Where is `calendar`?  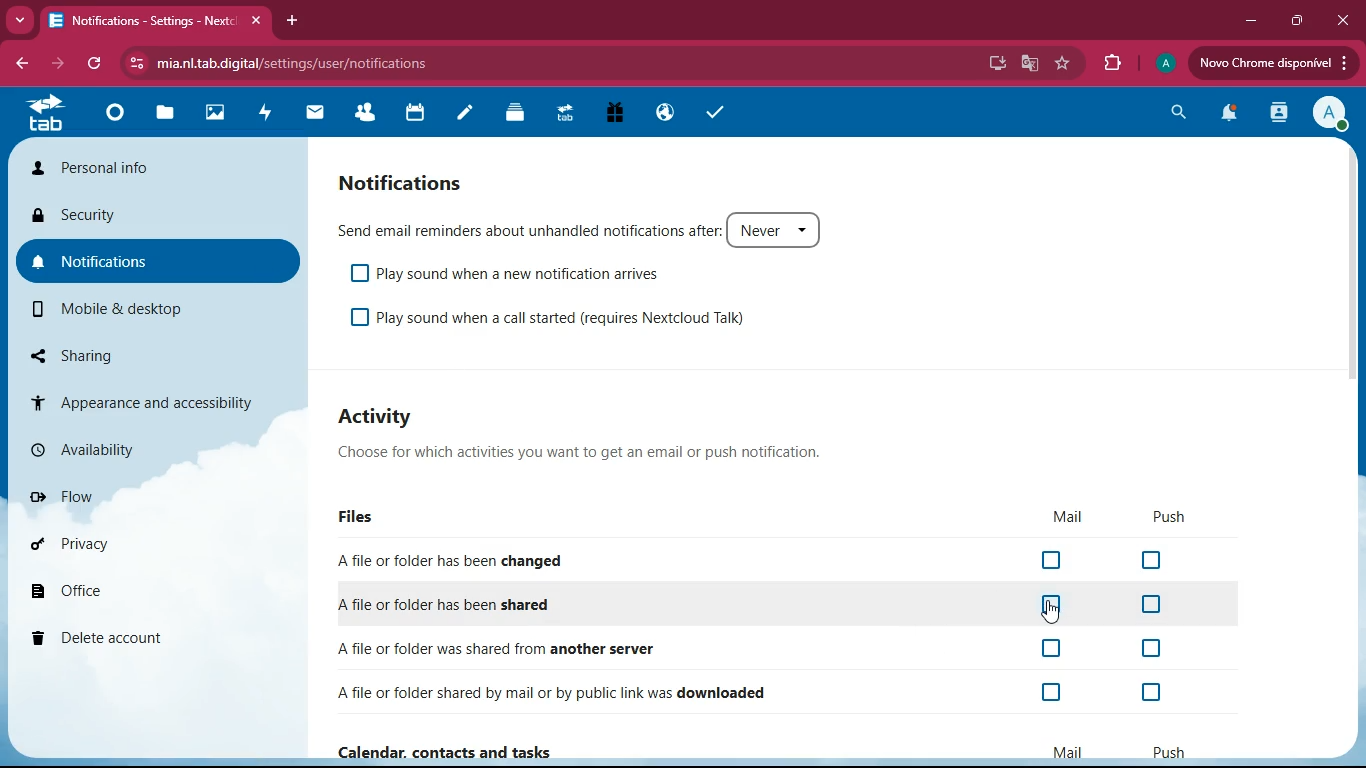 calendar is located at coordinates (412, 116).